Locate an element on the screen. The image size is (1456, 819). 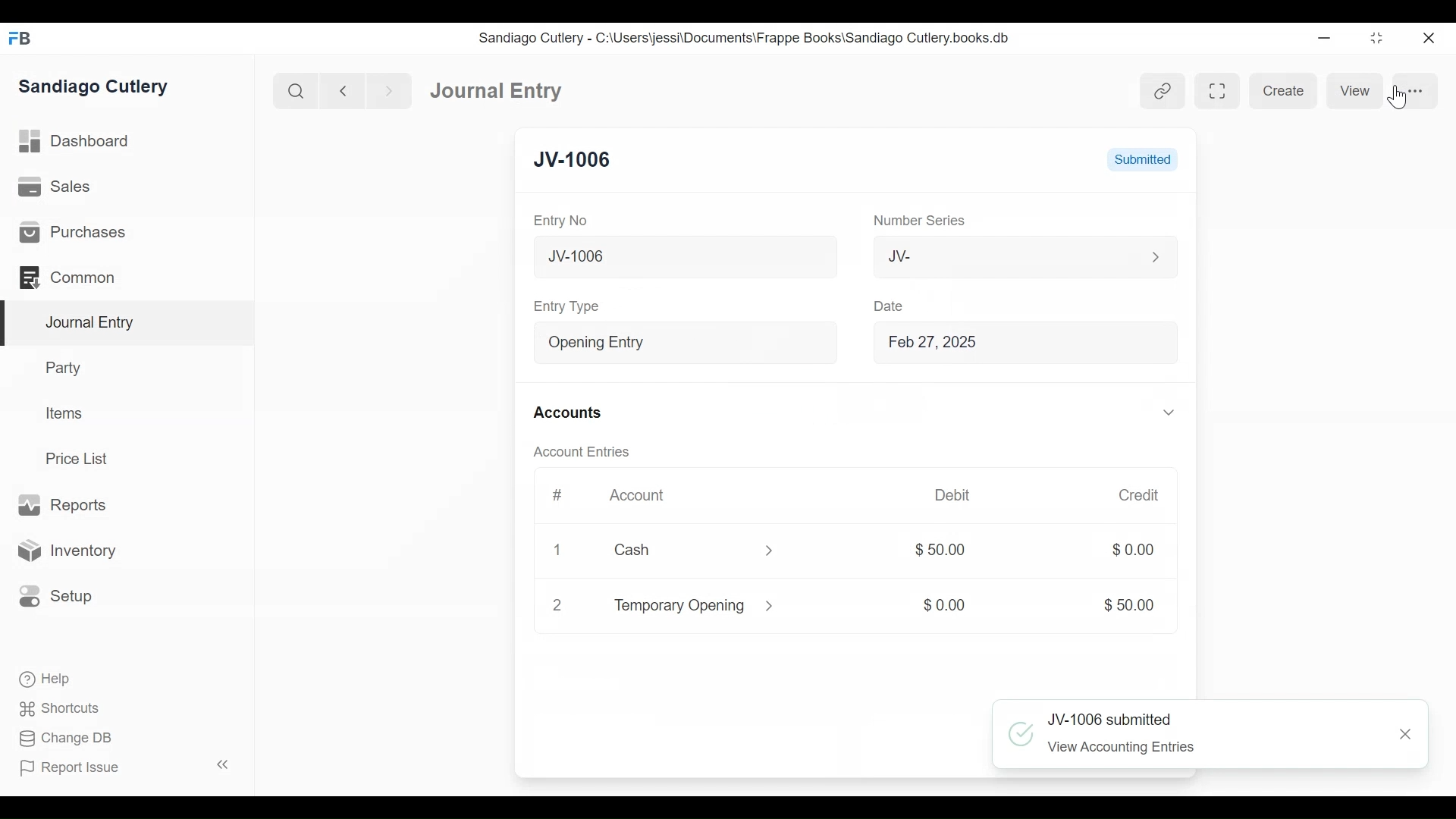
Feb 27, 2025 is located at coordinates (1015, 344).